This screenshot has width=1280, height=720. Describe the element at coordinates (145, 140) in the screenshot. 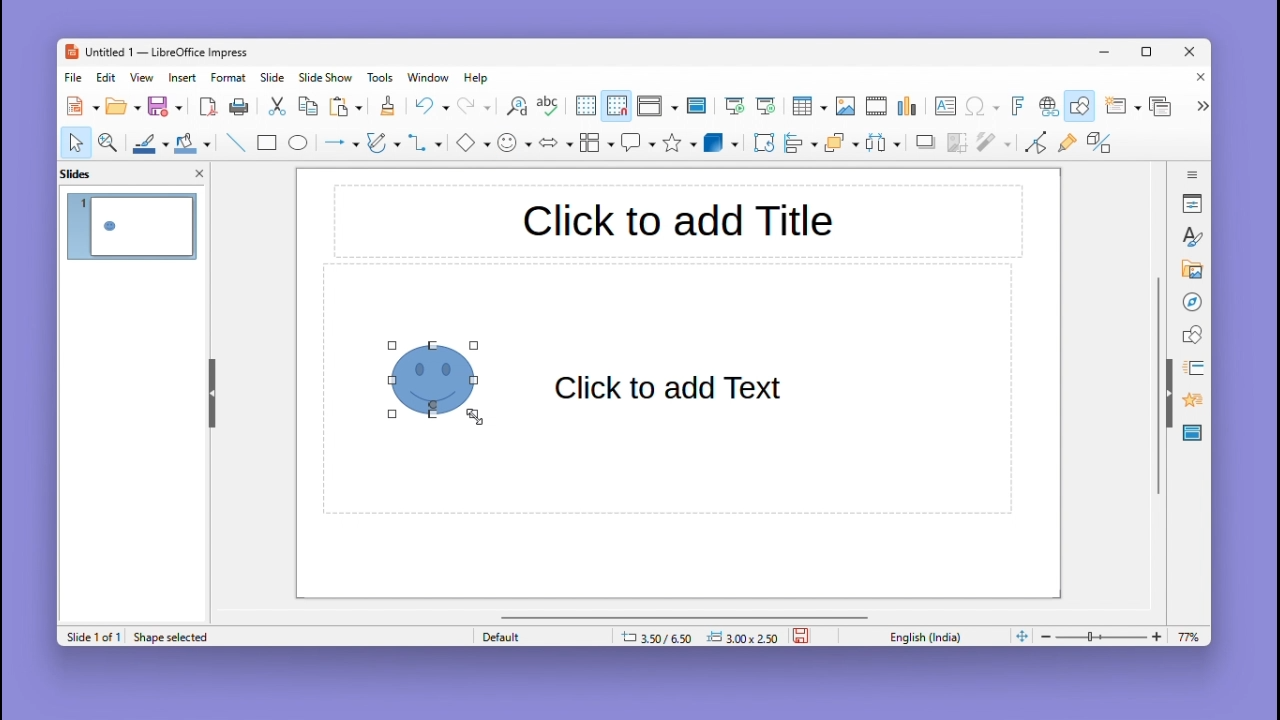

I see `Brush` at that location.